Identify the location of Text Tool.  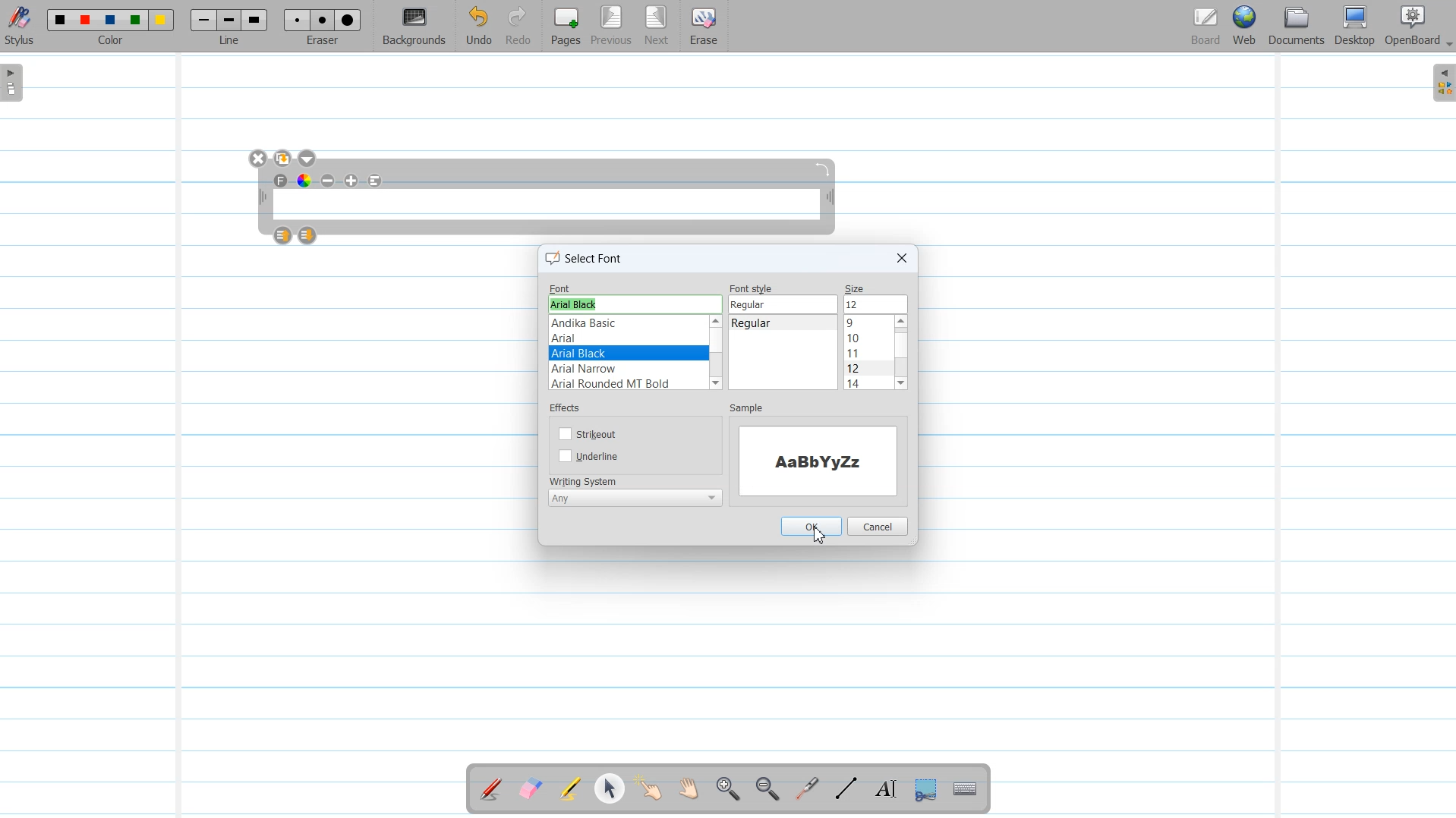
(883, 789).